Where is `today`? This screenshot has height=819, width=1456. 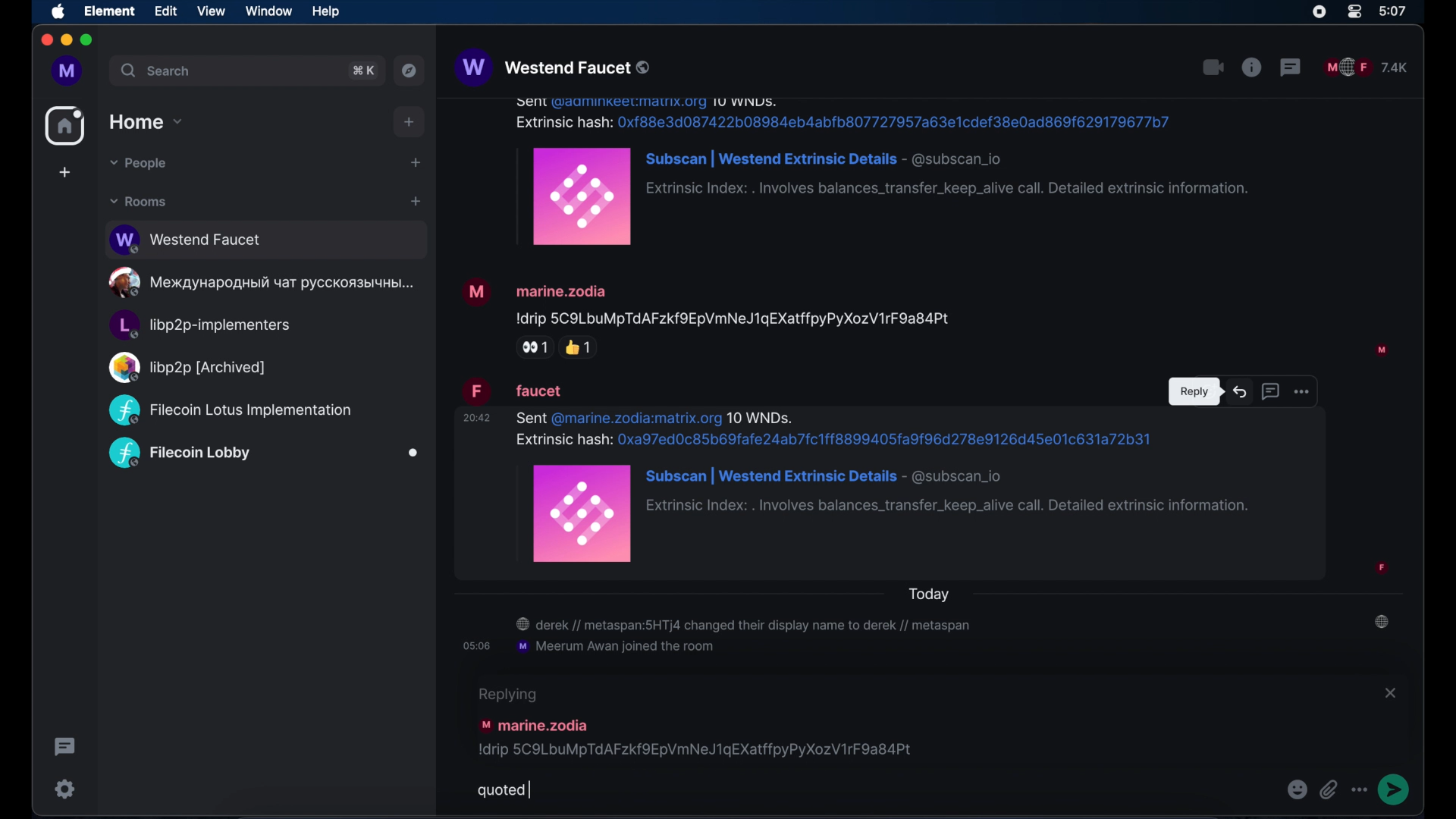
today is located at coordinates (931, 593).